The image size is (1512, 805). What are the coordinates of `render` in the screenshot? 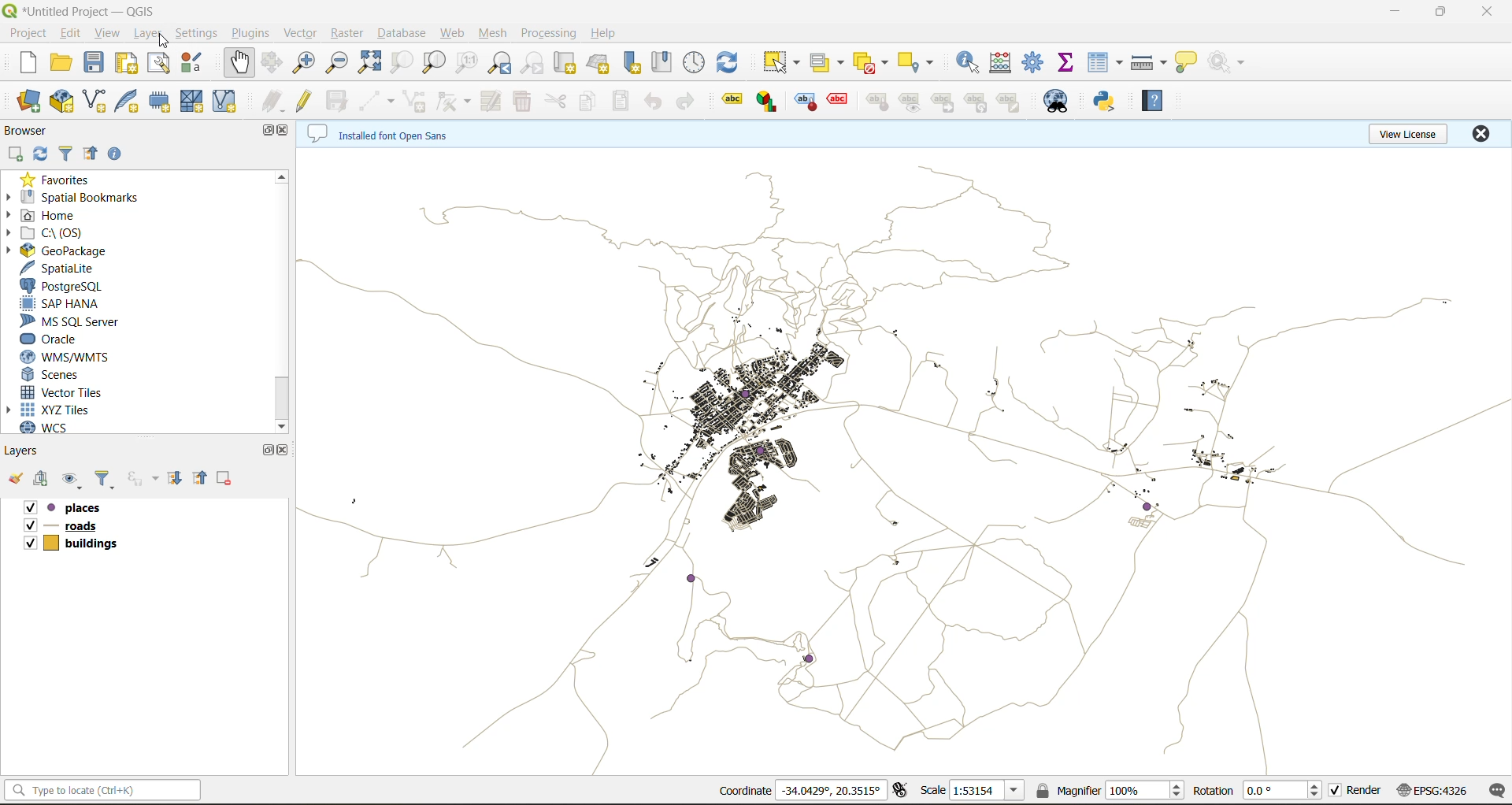 It's located at (1354, 793).